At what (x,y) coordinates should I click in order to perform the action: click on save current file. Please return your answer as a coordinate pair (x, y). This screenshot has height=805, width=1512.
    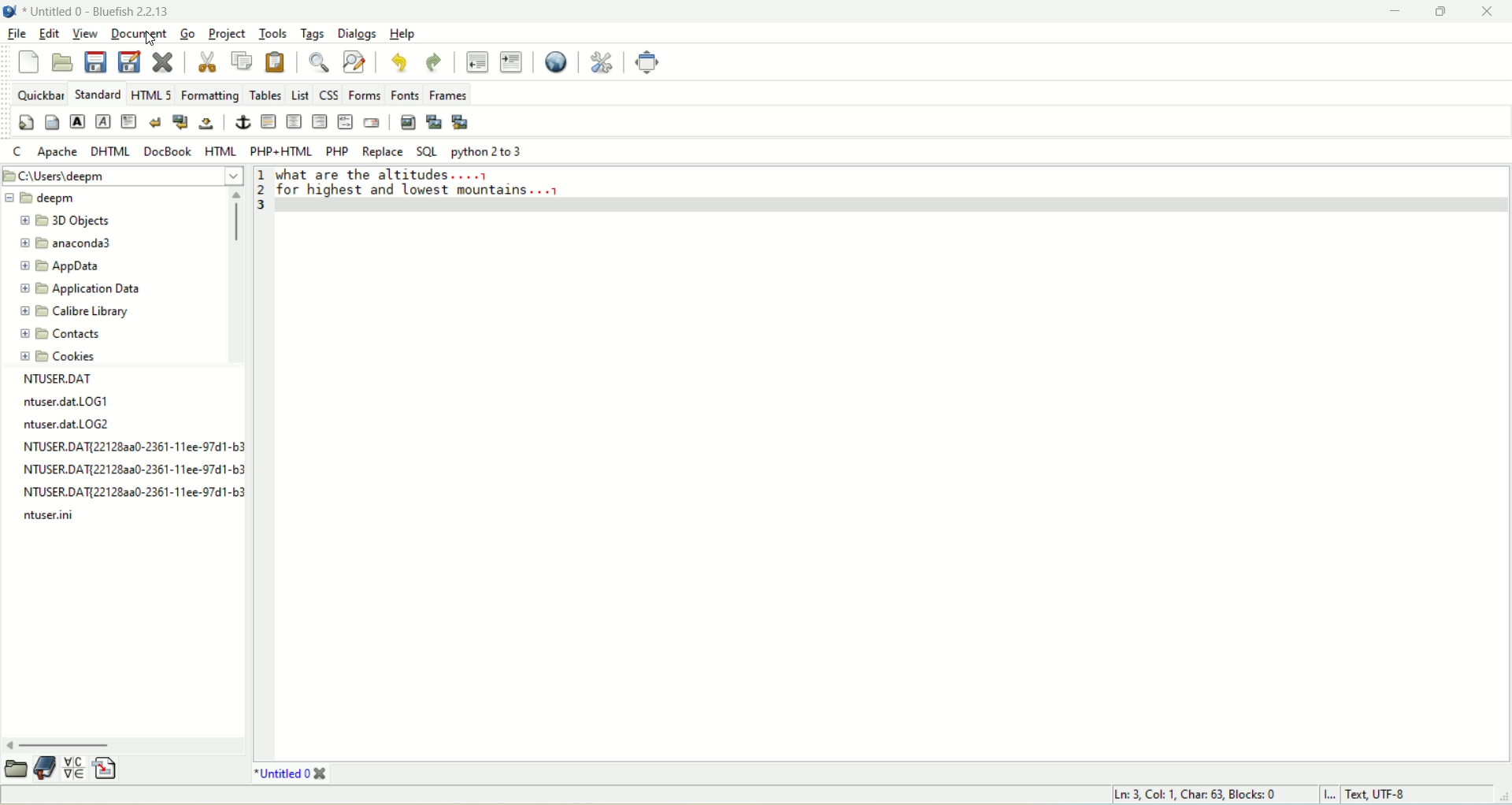
    Looking at the image, I should click on (98, 61).